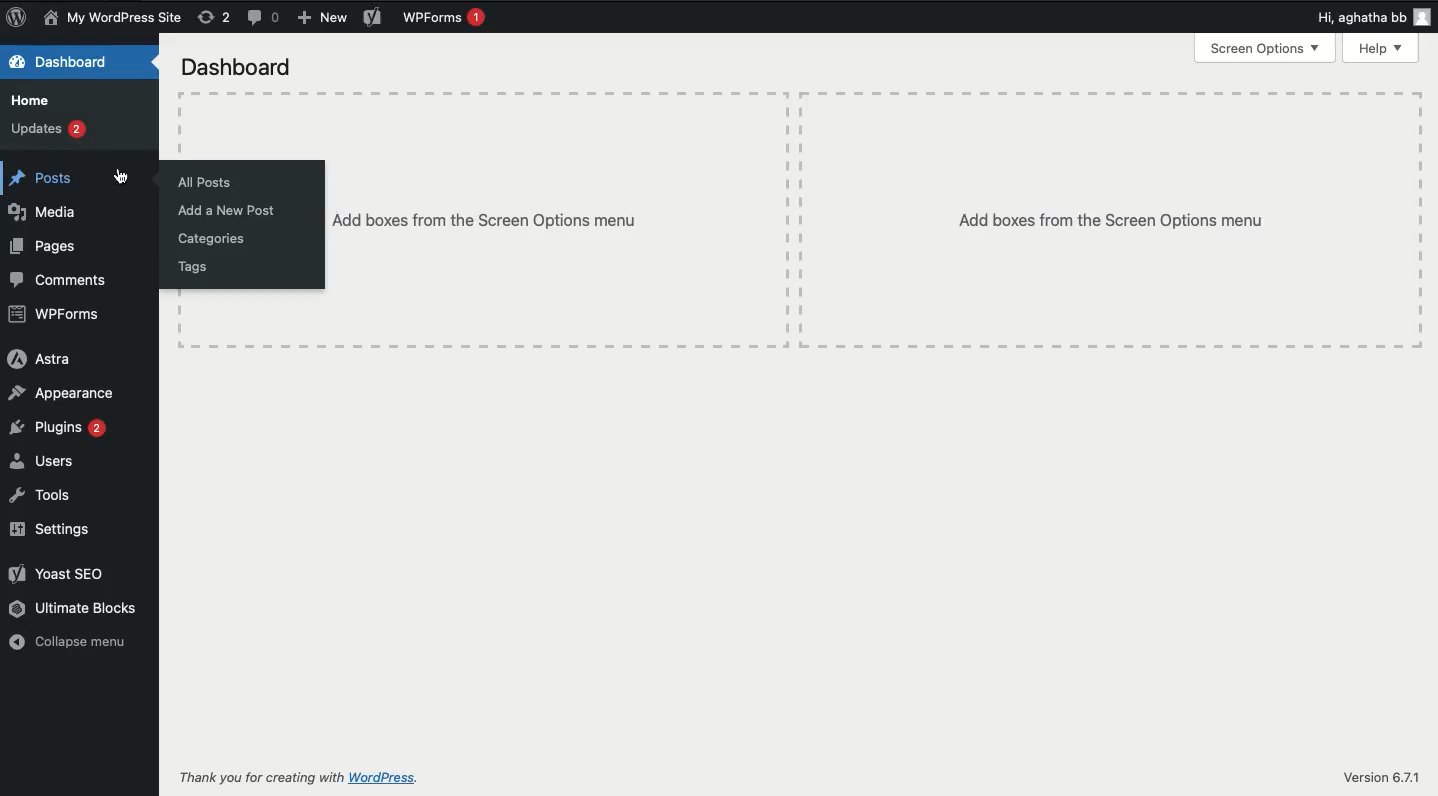 The image size is (1438, 796). What do you see at coordinates (57, 531) in the screenshot?
I see `Settings` at bounding box center [57, 531].